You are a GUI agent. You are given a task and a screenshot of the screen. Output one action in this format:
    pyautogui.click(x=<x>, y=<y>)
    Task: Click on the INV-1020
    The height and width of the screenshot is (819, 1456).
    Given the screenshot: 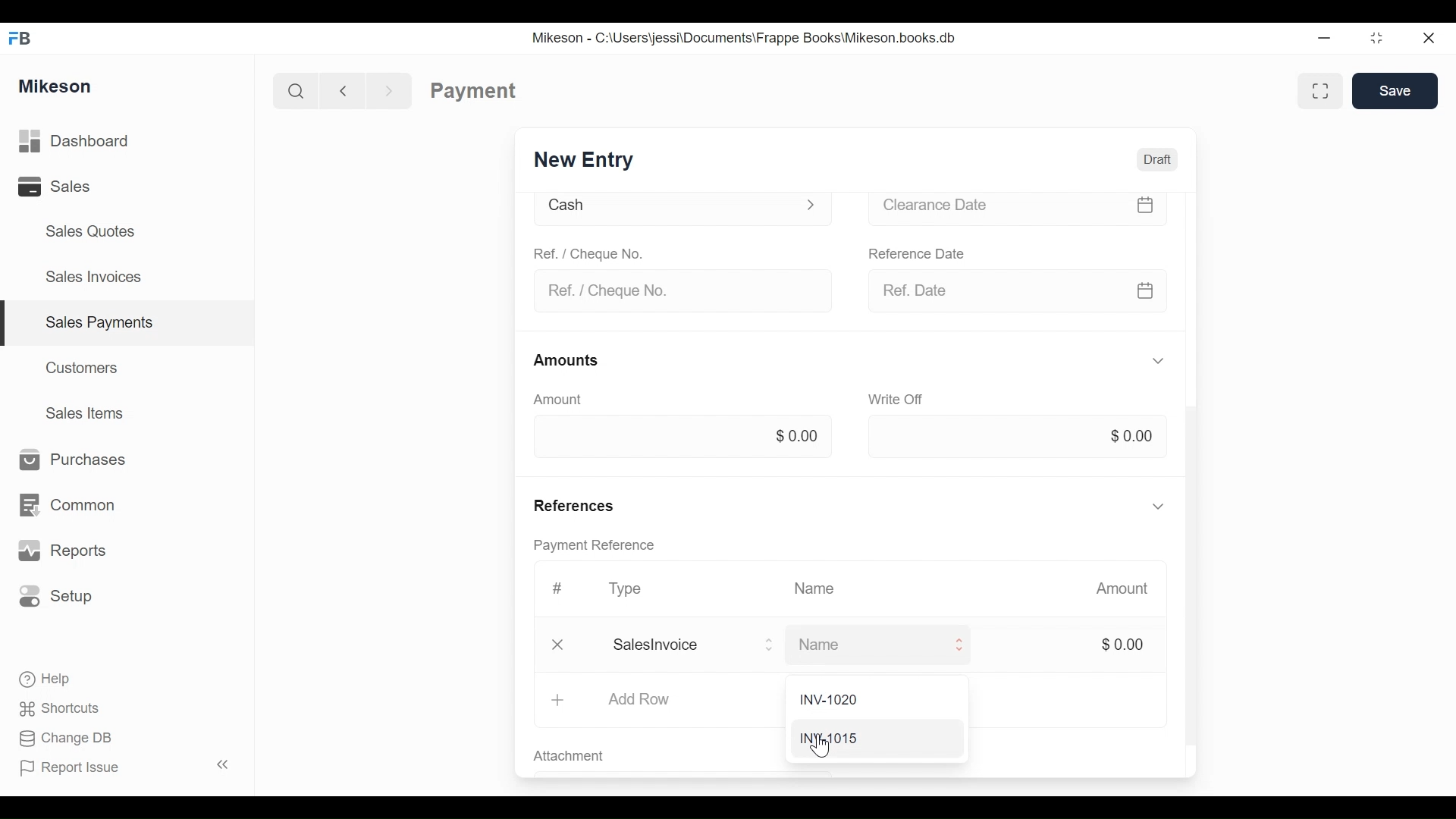 What is the action you would take?
    pyautogui.click(x=830, y=701)
    